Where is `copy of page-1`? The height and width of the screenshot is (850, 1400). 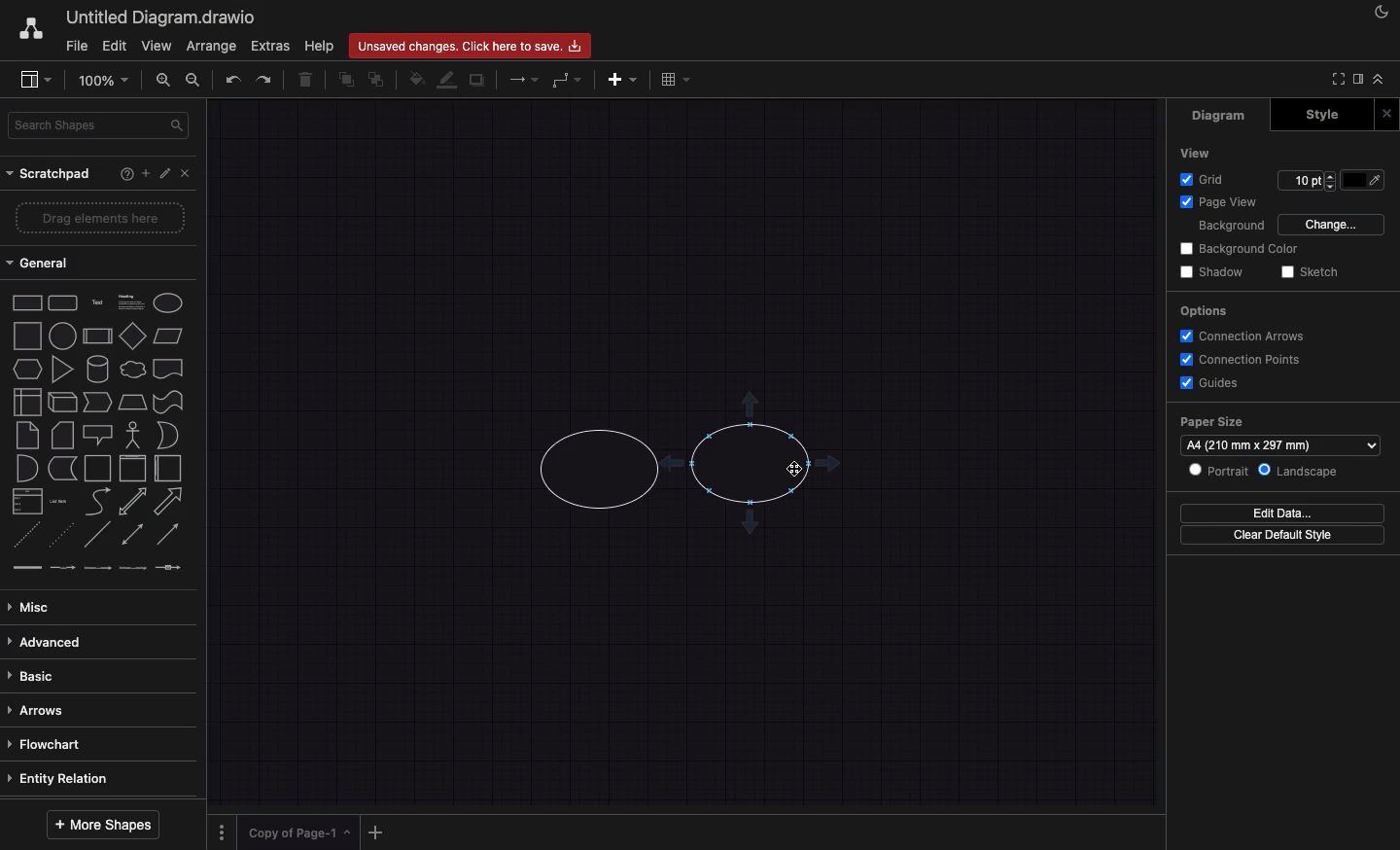 copy of page-1 is located at coordinates (299, 832).